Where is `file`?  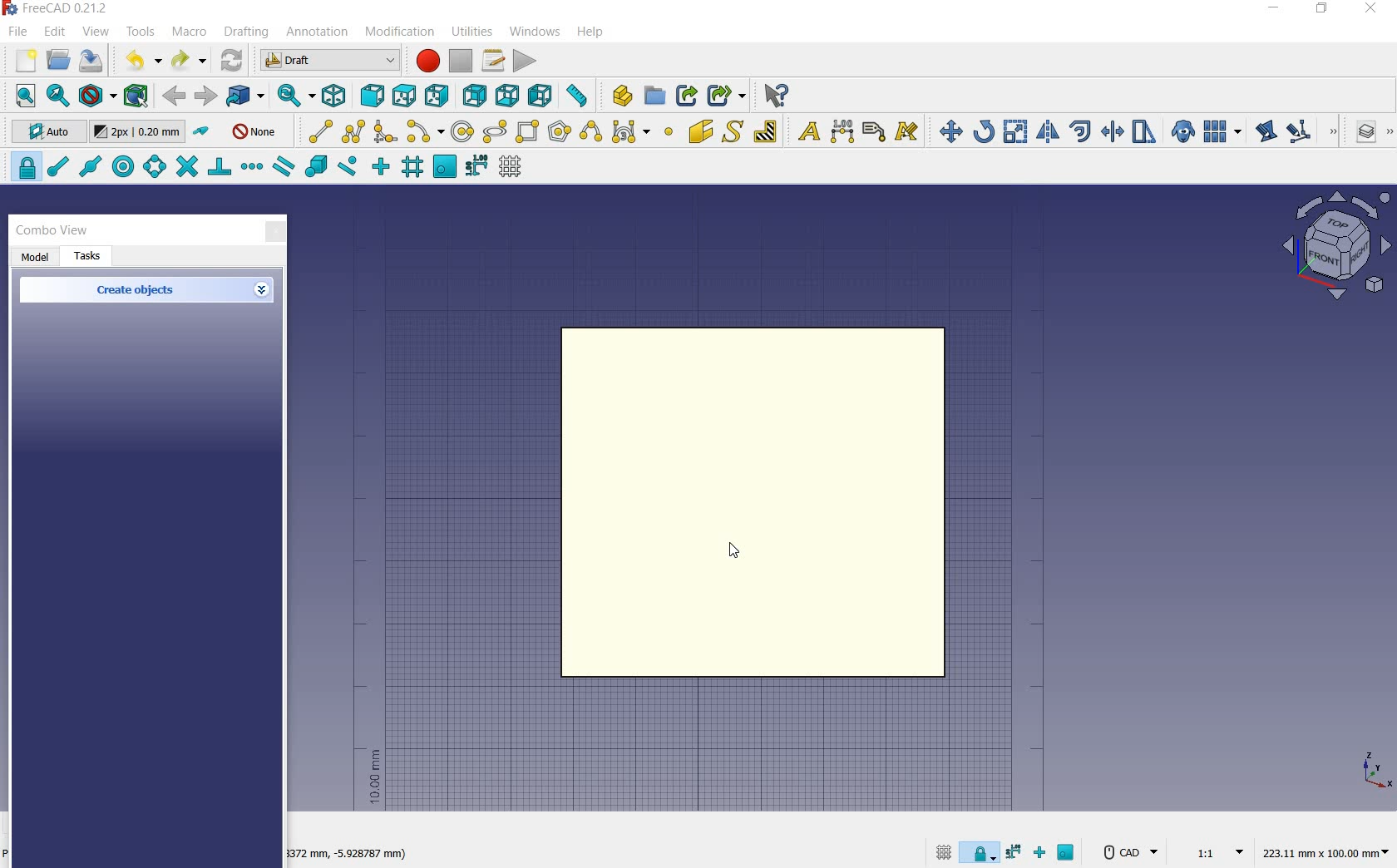
file is located at coordinates (20, 33).